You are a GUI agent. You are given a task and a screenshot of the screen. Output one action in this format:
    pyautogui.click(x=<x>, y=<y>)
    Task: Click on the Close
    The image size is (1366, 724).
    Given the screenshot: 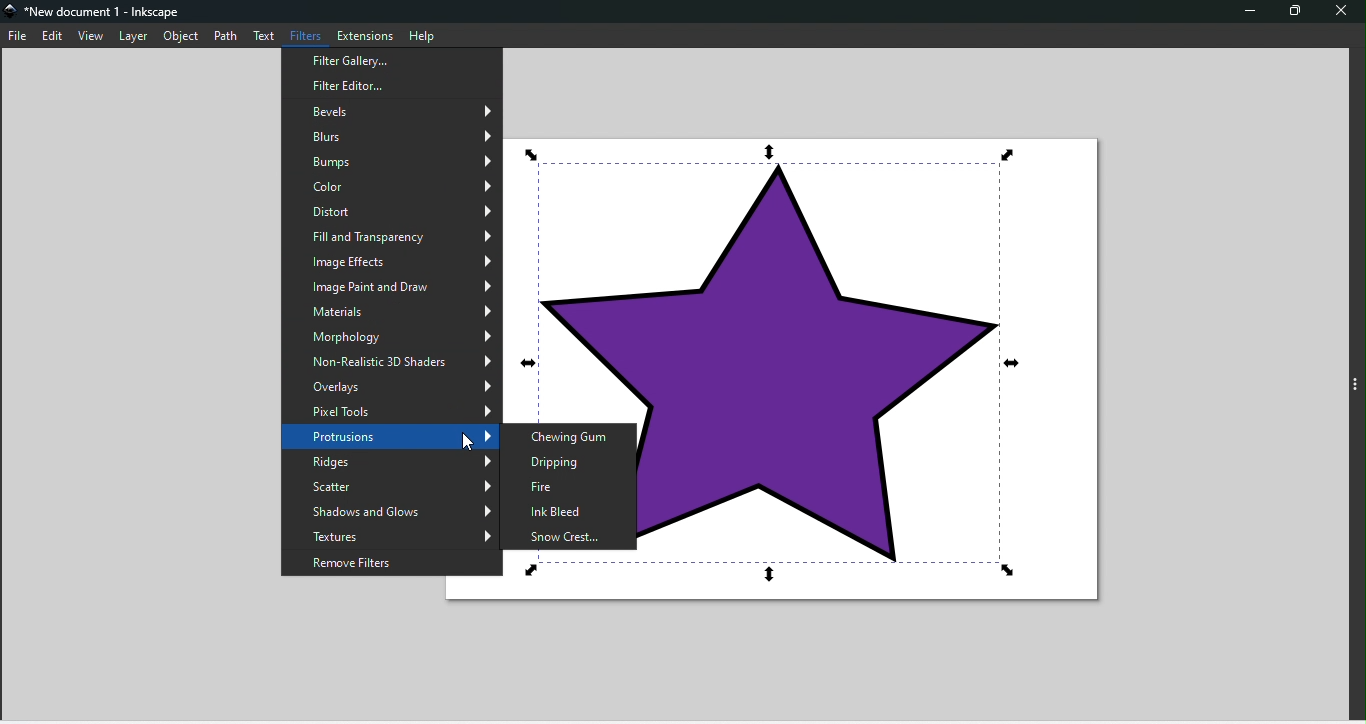 What is the action you would take?
    pyautogui.click(x=1336, y=11)
    